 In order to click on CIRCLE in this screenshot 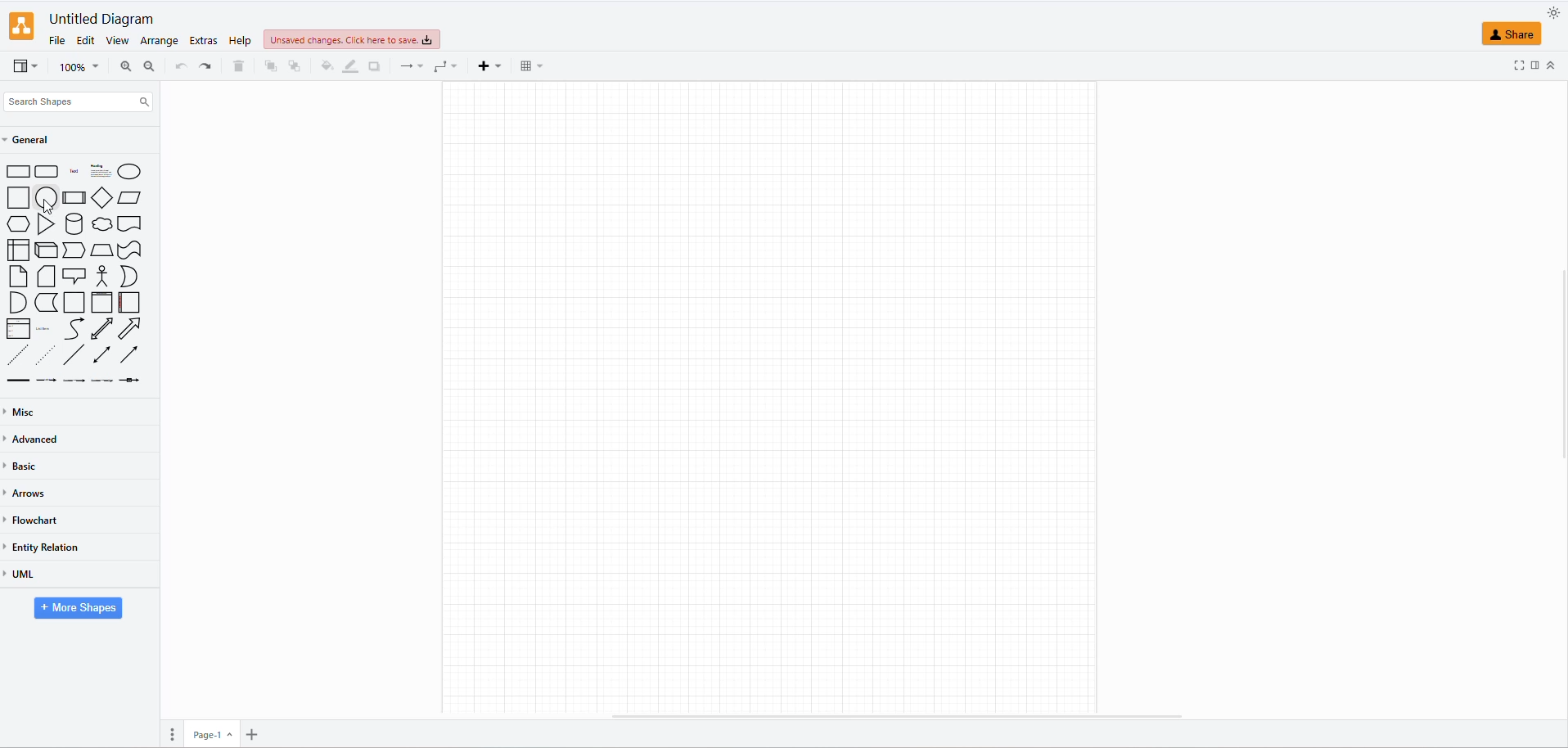, I will do `click(131, 171)`.